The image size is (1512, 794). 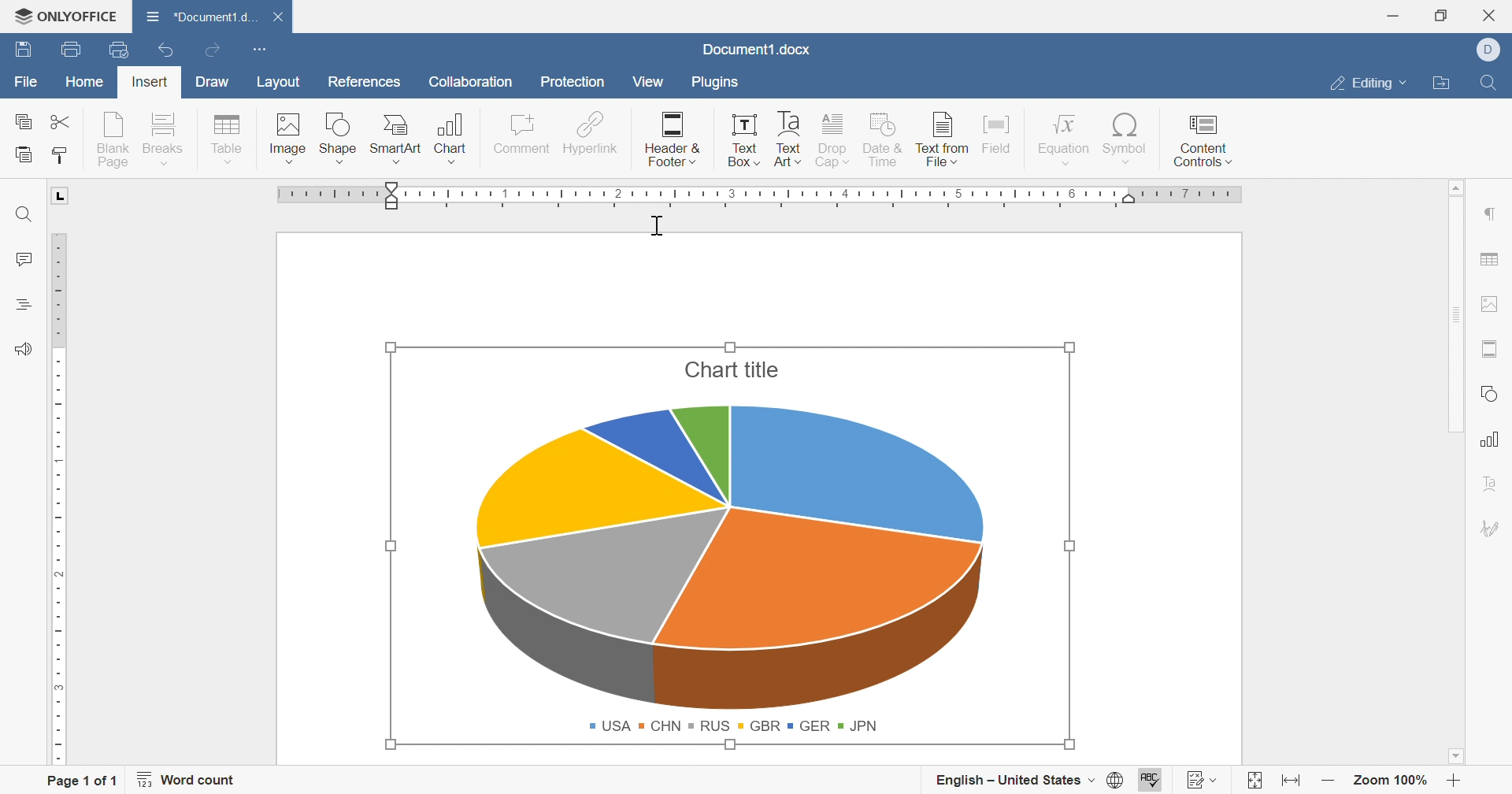 I want to click on Scroll Bar, so click(x=1456, y=315).